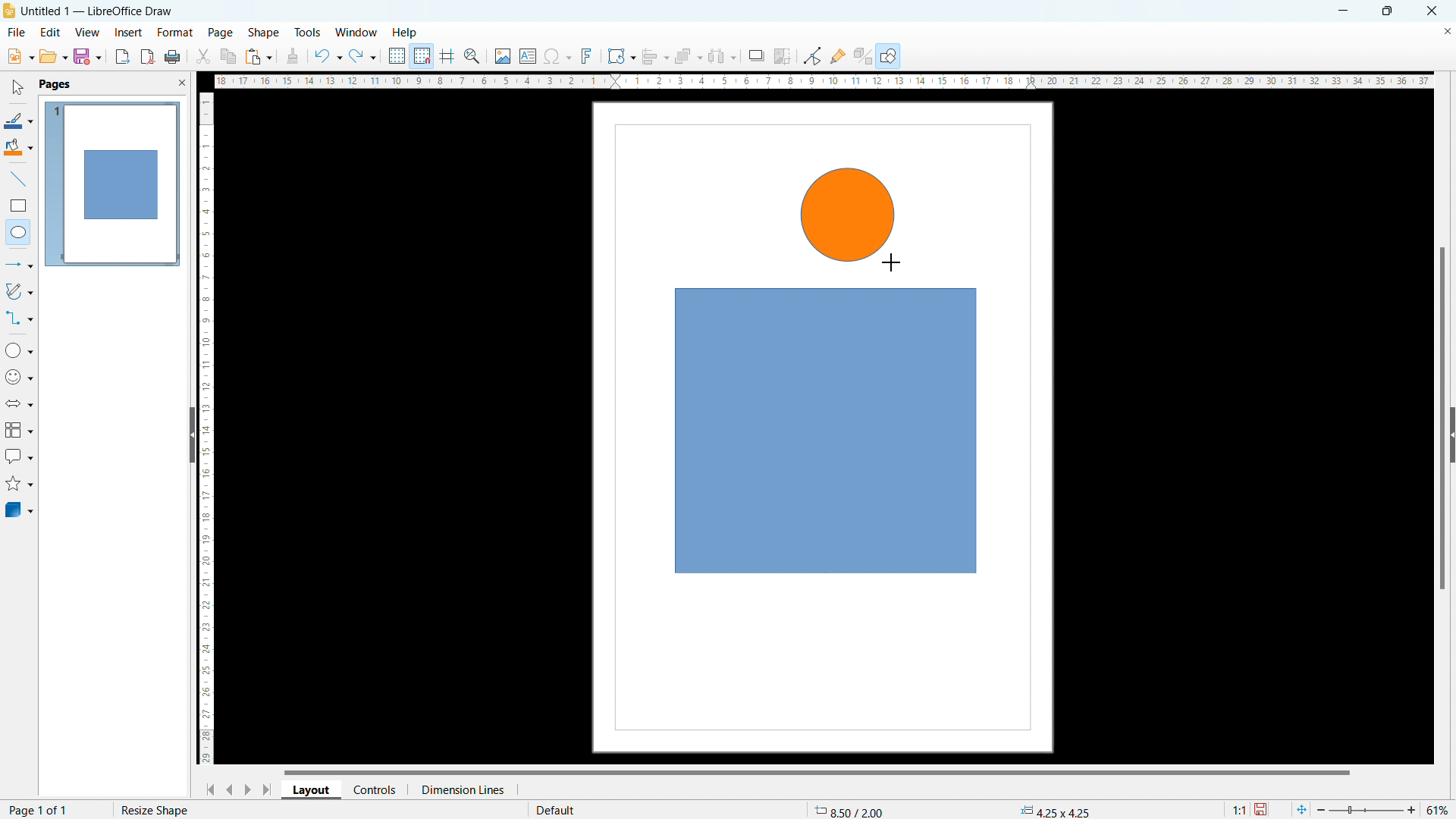  Describe the element at coordinates (18, 485) in the screenshot. I see `stars and banners` at that location.